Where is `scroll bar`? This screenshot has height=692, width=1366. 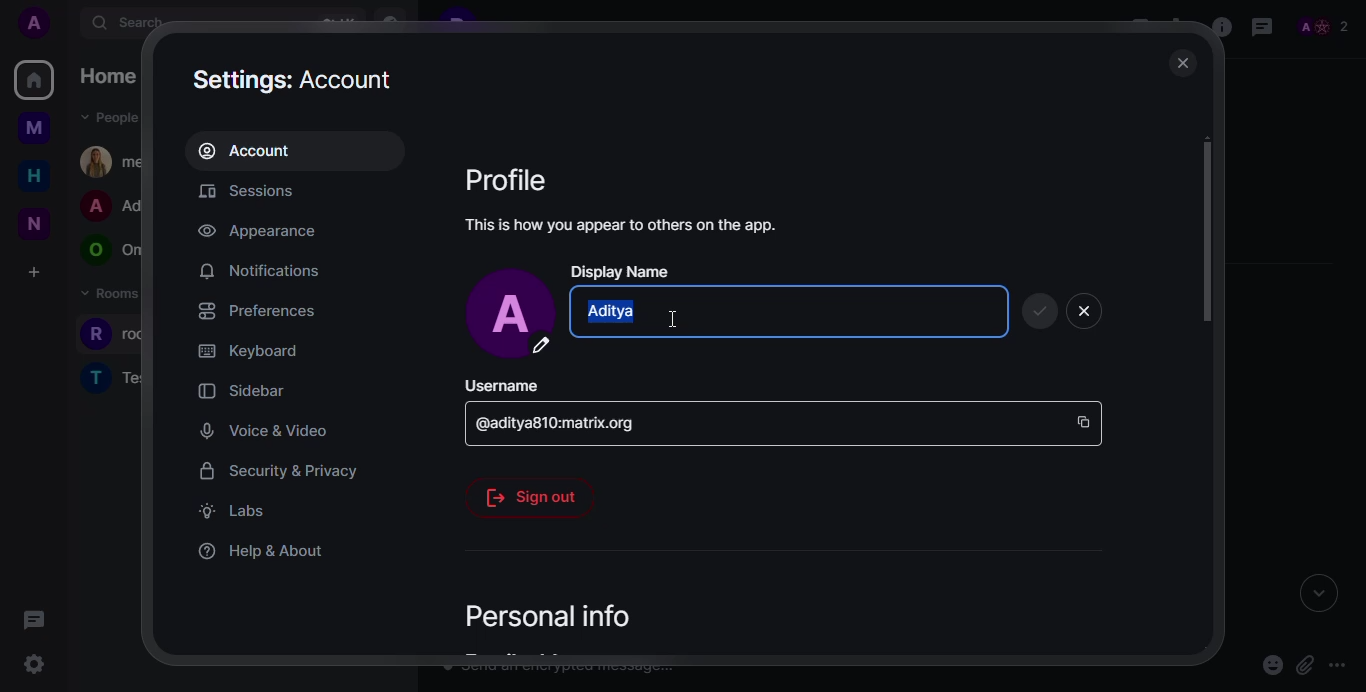 scroll bar is located at coordinates (1206, 231).